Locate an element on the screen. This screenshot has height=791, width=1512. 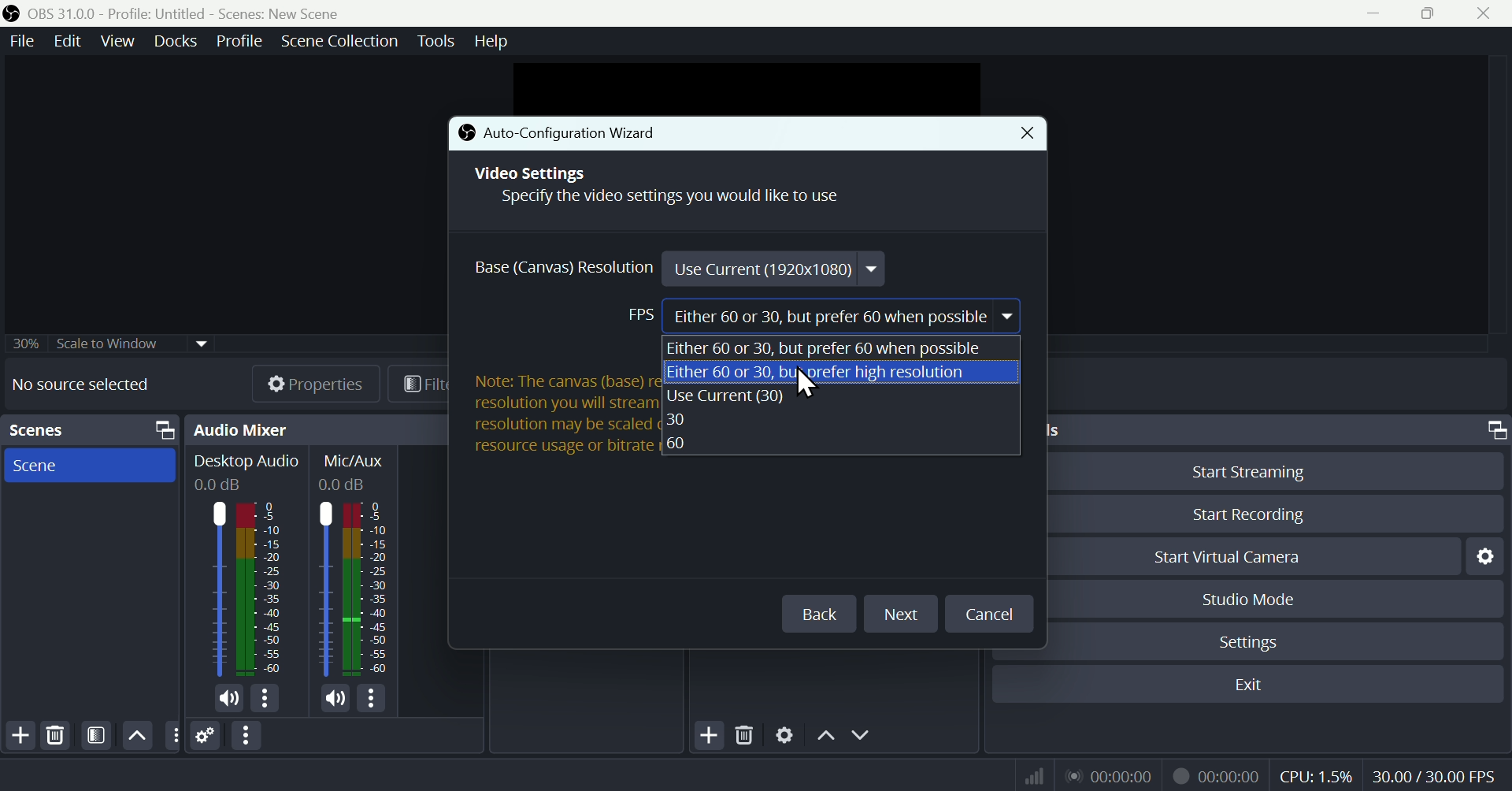
Auto-Configuration Wizard is located at coordinates (601, 134).